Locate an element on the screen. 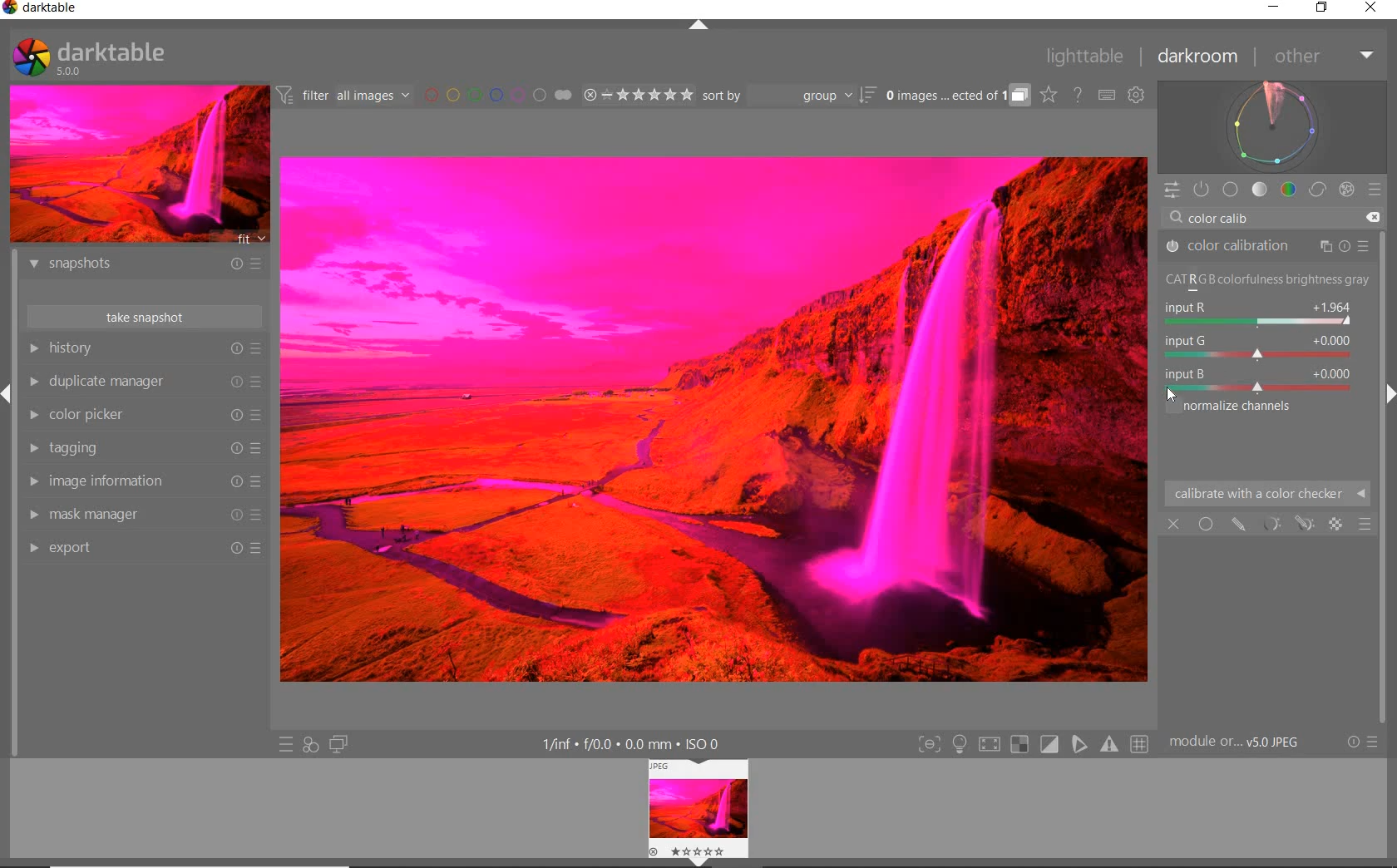  export is located at coordinates (146, 550).